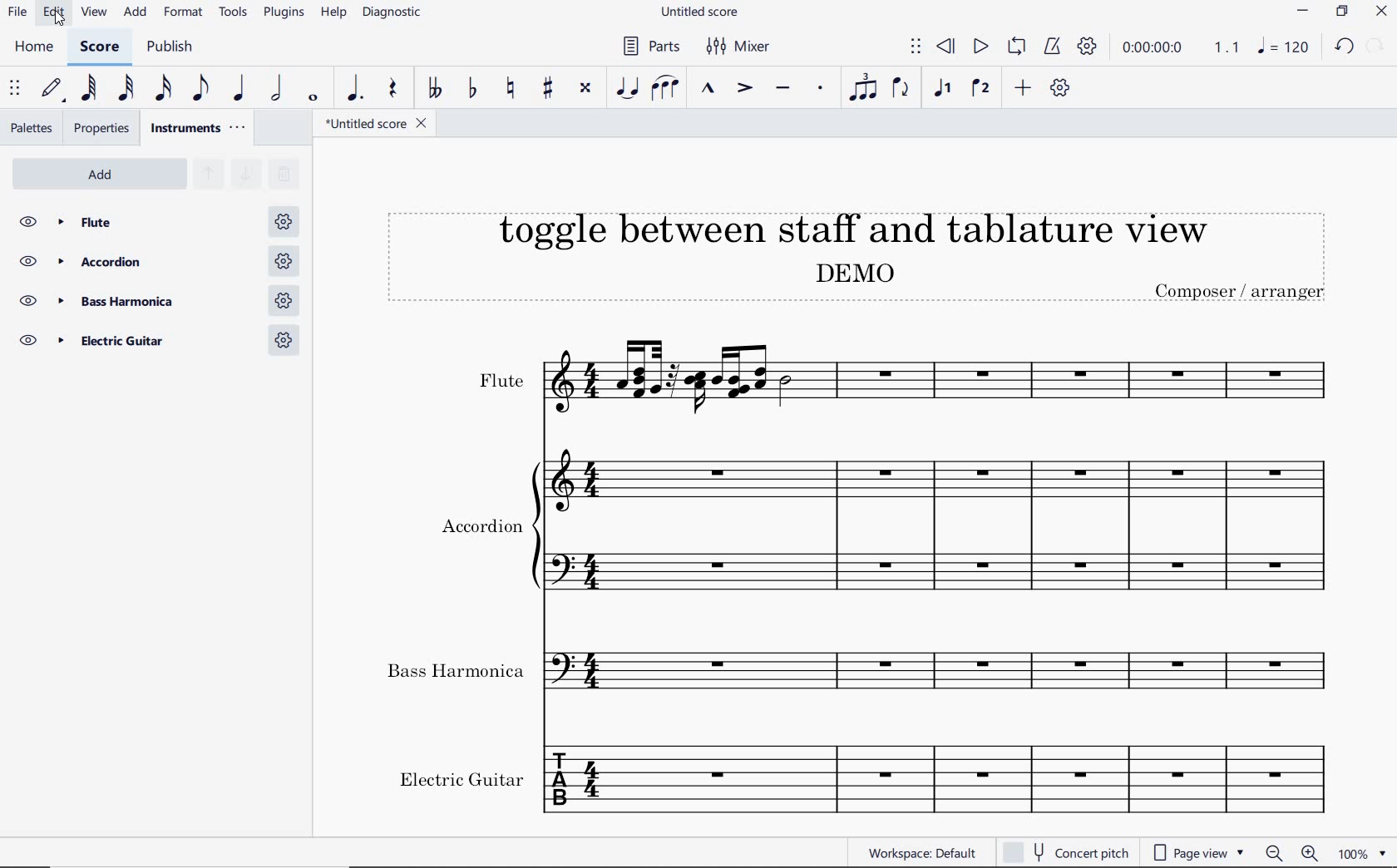 The image size is (1397, 868). Describe the element at coordinates (158, 343) in the screenshot. I see `Electric Guitar` at that location.